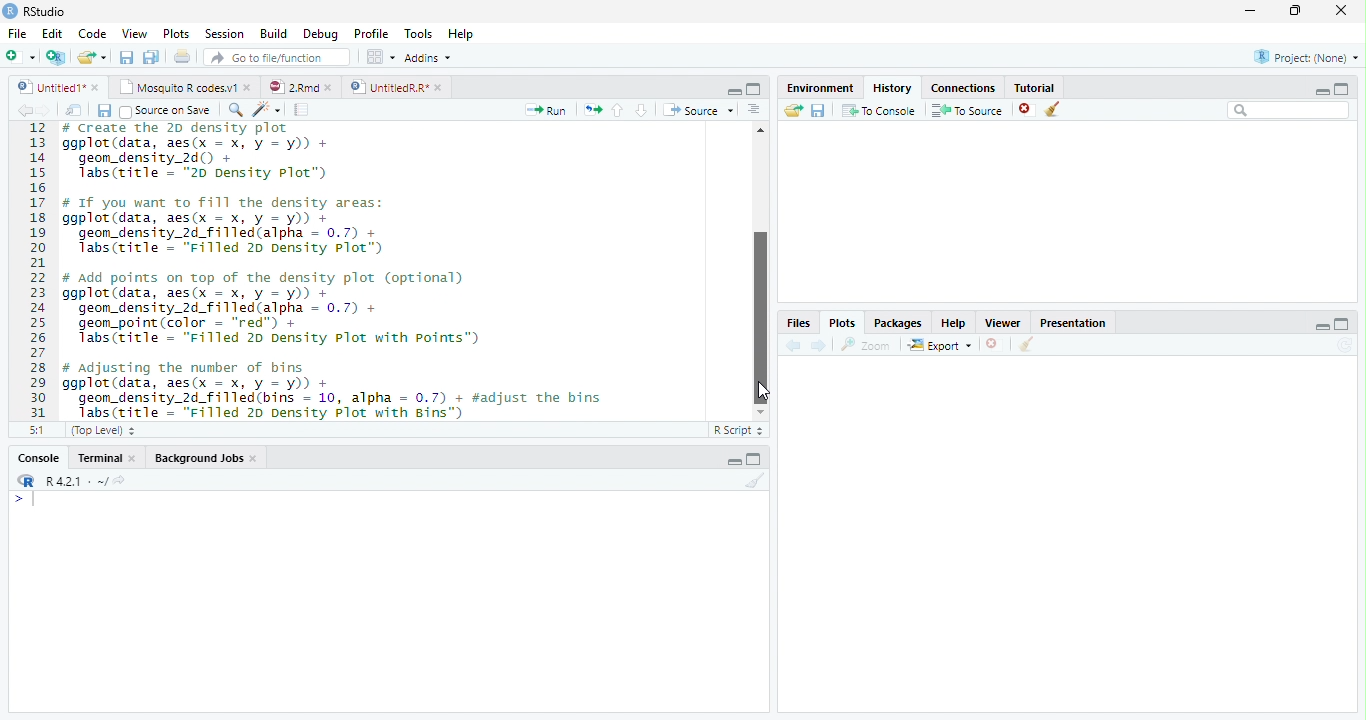 The width and height of the screenshot is (1366, 720). Describe the element at coordinates (795, 323) in the screenshot. I see `Files,` at that location.